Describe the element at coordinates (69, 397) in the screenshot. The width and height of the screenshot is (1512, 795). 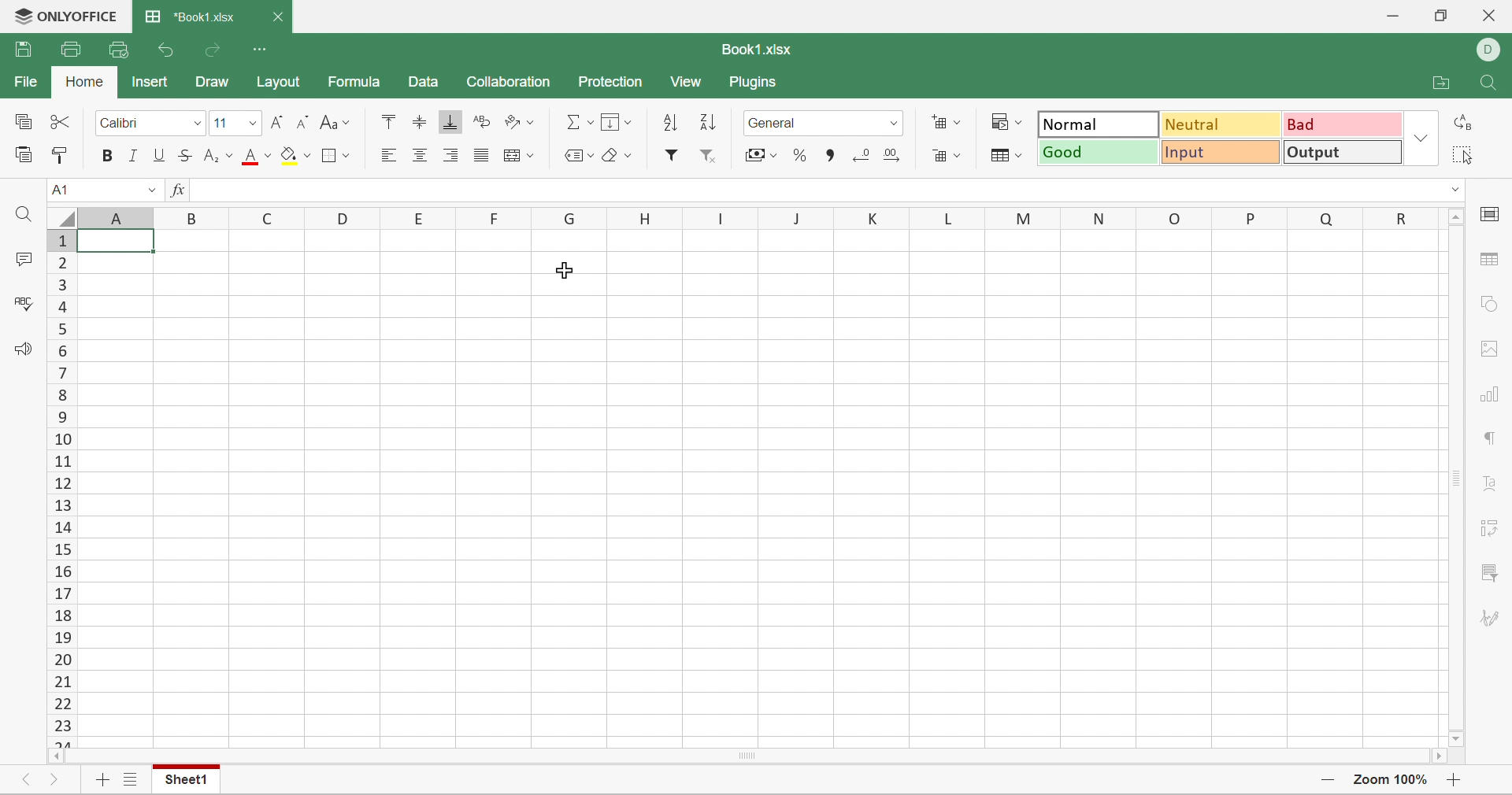
I see `8` at that location.